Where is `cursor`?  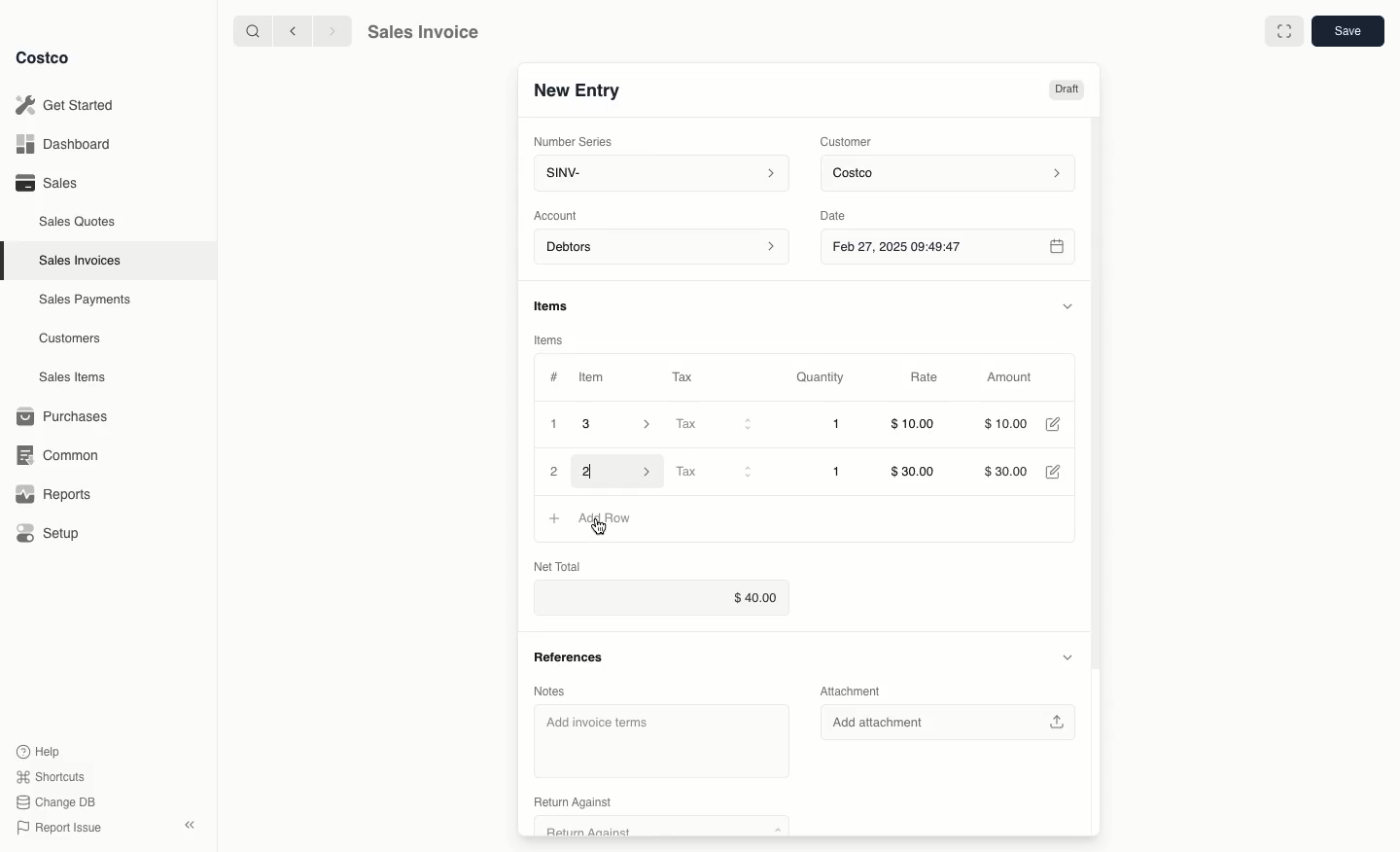
cursor is located at coordinates (598, 533).